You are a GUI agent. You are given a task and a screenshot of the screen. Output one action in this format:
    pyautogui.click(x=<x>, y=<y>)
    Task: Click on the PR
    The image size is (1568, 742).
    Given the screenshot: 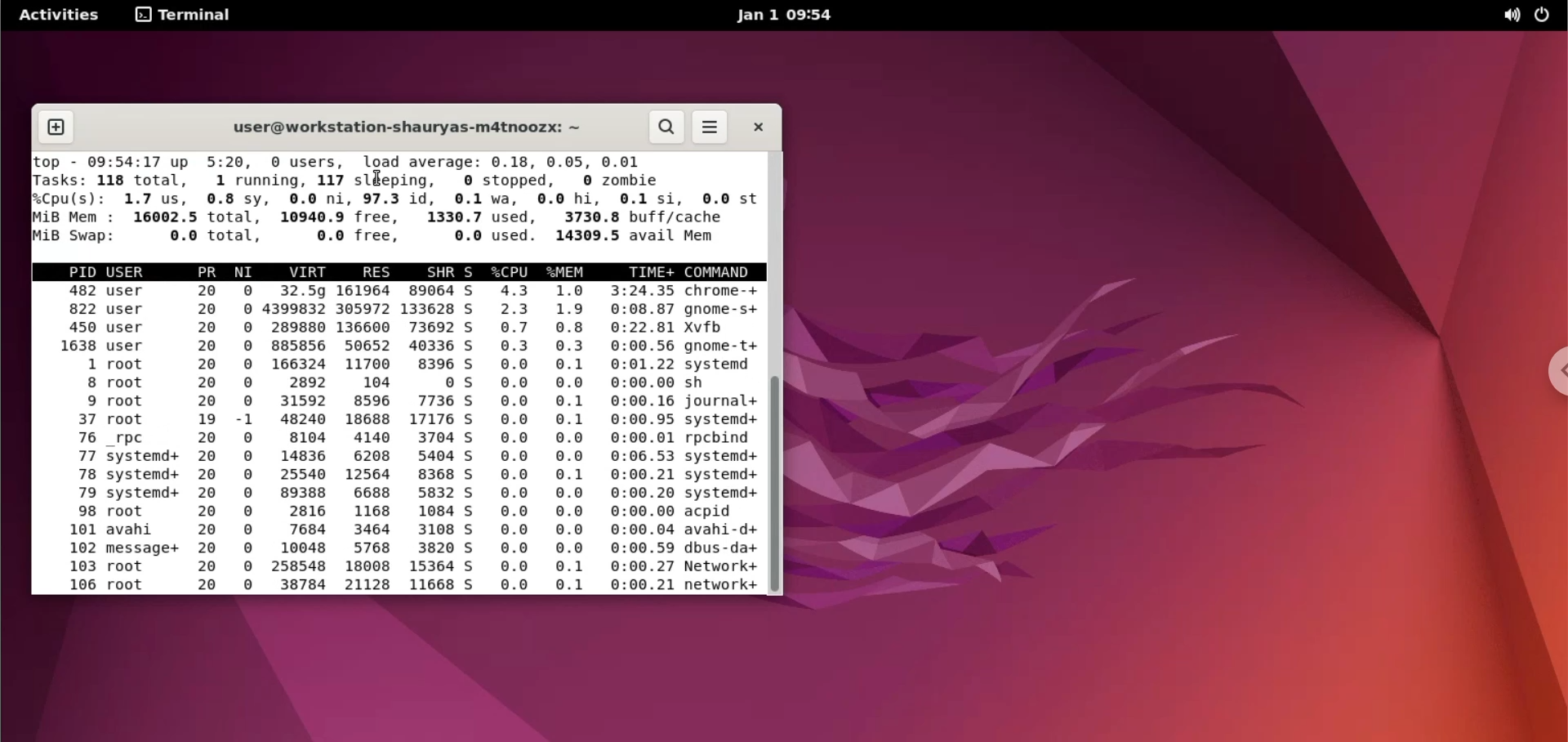 What is the action you would take?
    pyautogui.click(x=209, y=272)
    